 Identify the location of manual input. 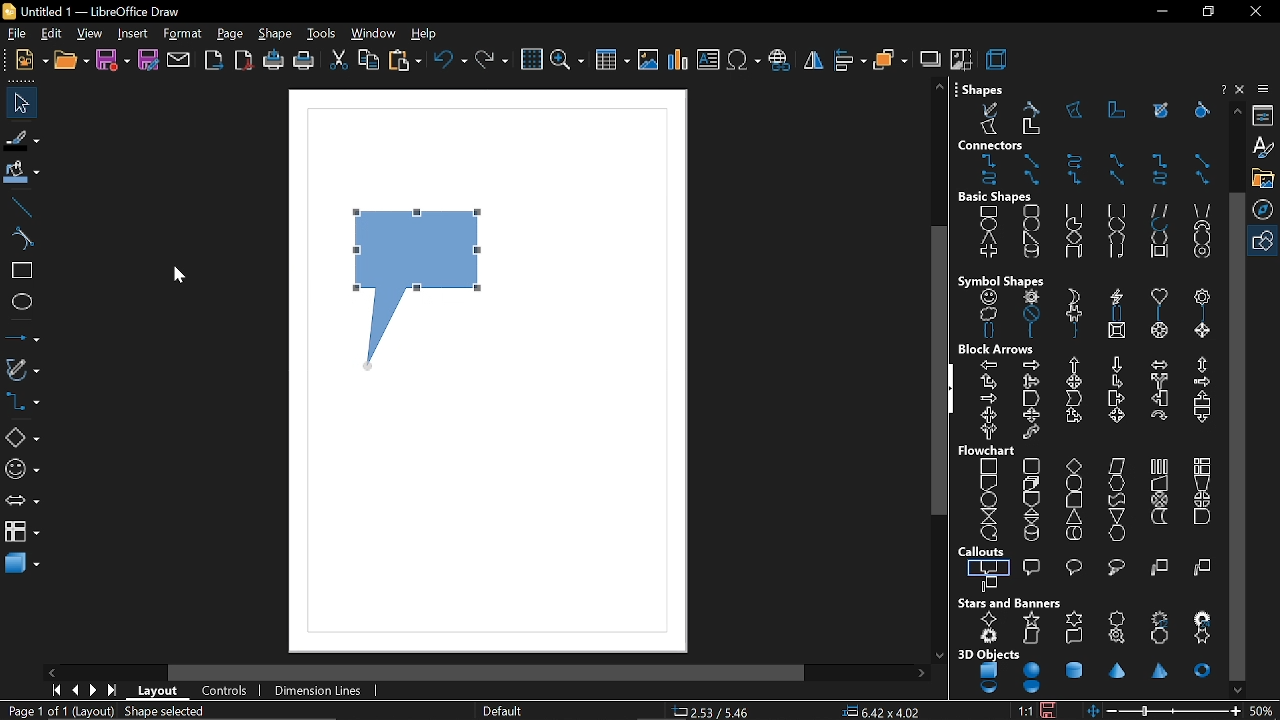
(1159, 483).